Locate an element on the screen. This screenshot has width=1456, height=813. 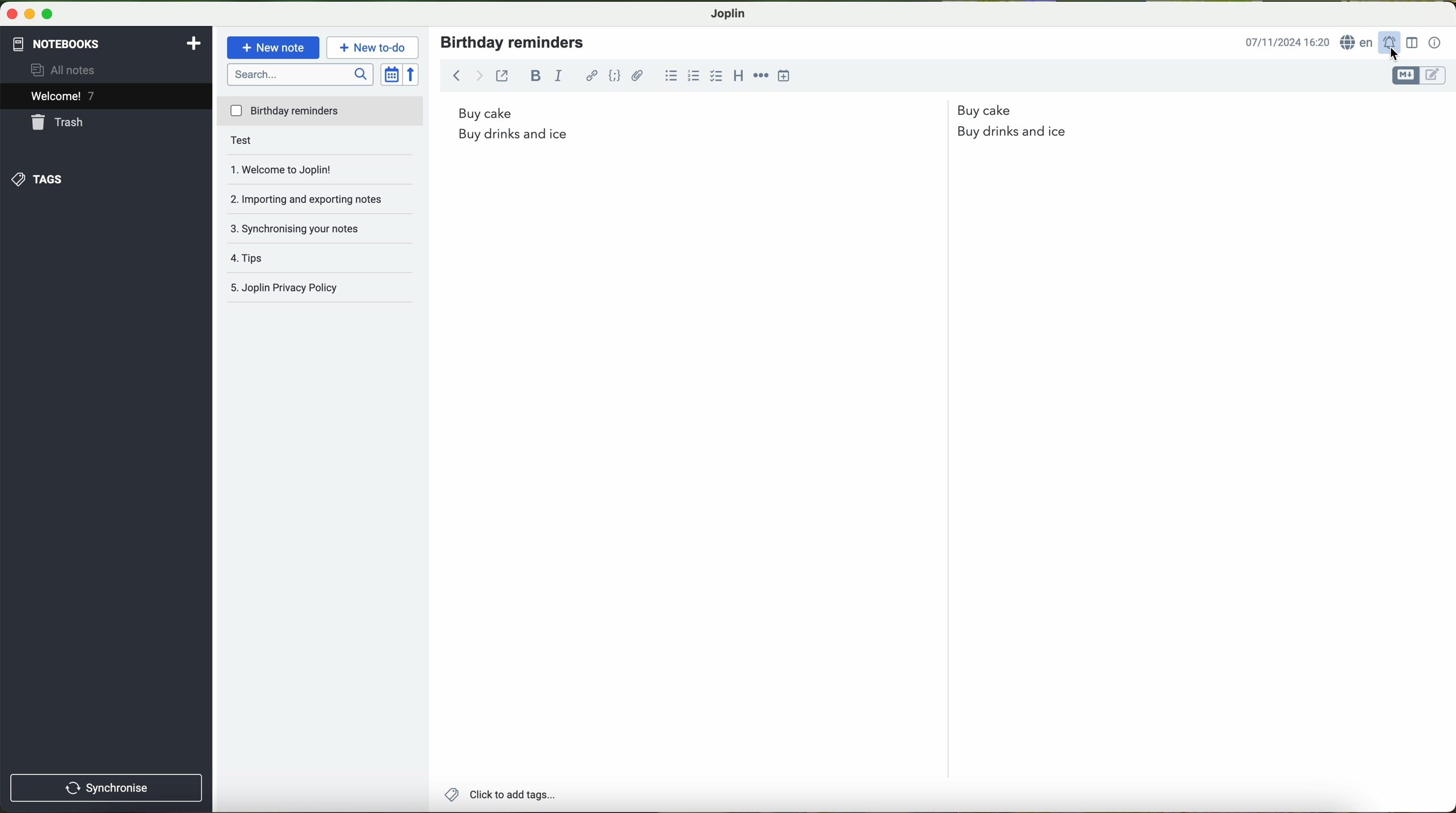
birthday reminders is located at coordinates (515, 42).